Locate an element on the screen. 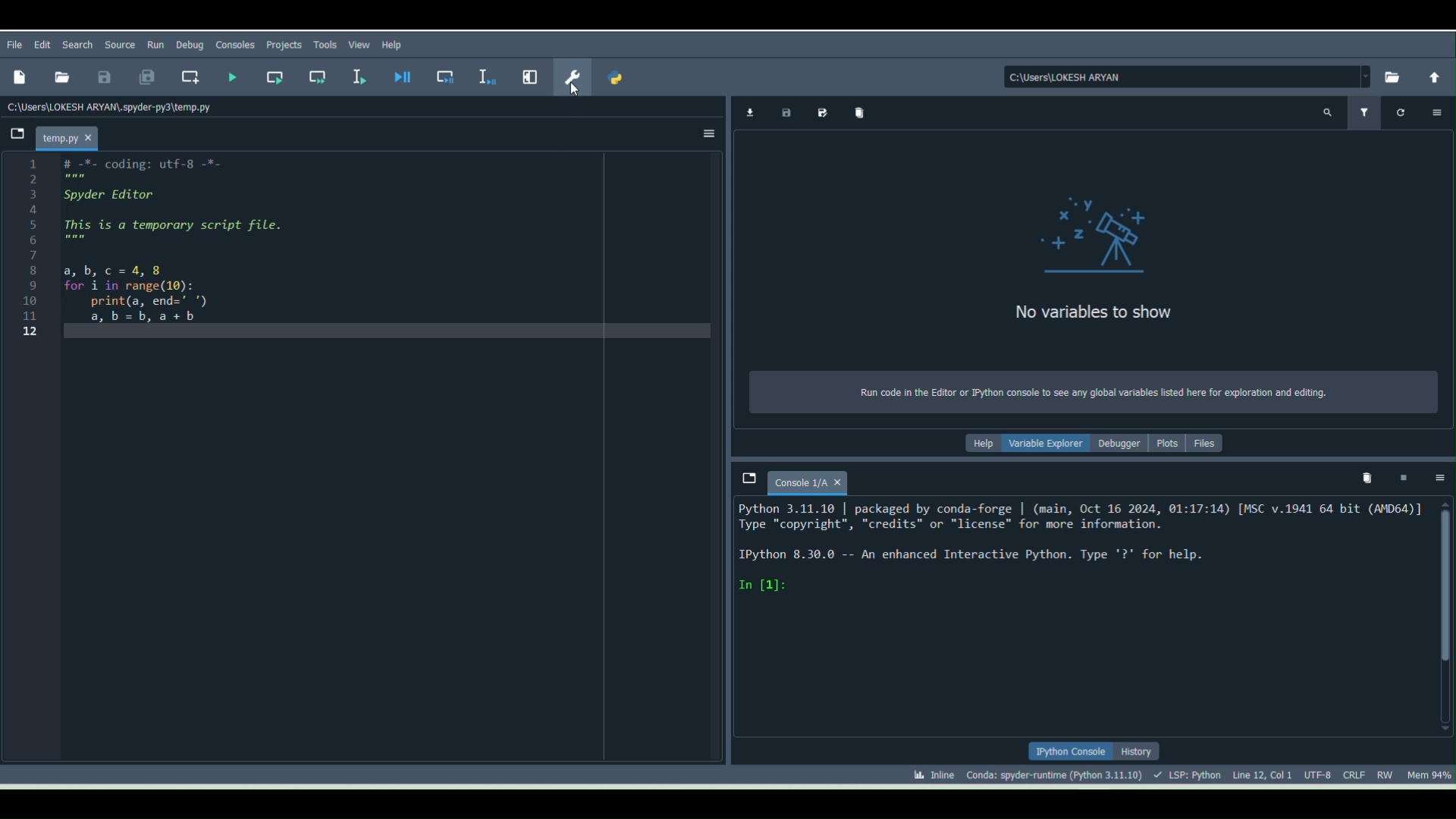 The height and width of the screenshot is (819, 1456). Help is located at coordinates (981, 442).